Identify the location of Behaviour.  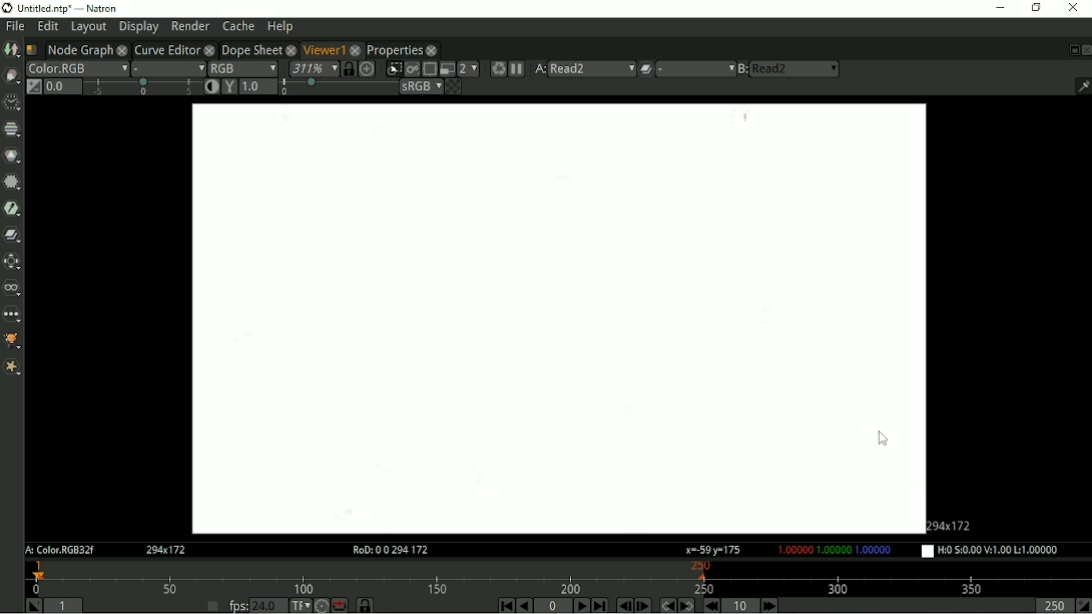
(339, 605).